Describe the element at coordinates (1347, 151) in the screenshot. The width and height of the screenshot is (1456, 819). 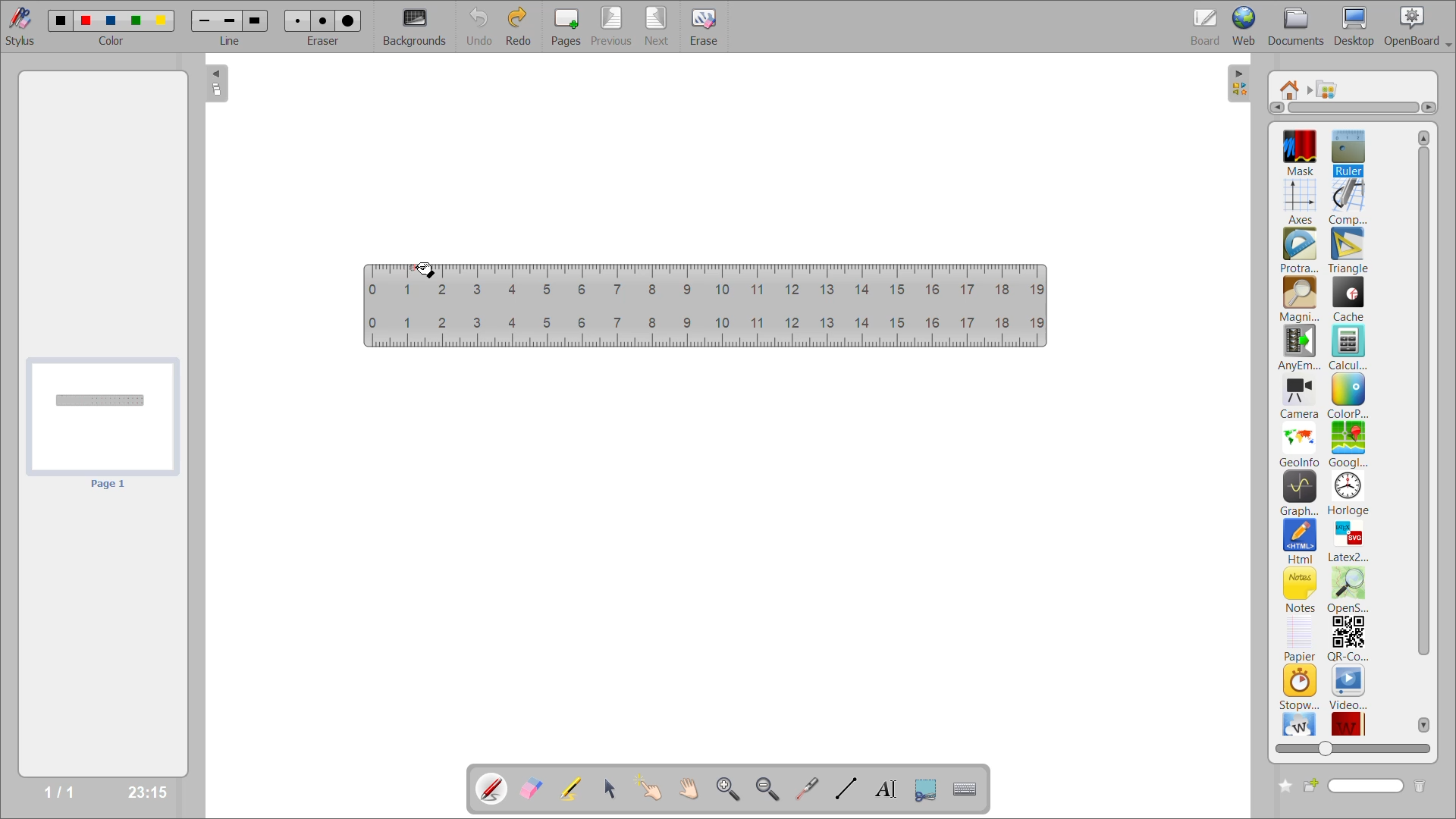
I see `ruler` at that location.